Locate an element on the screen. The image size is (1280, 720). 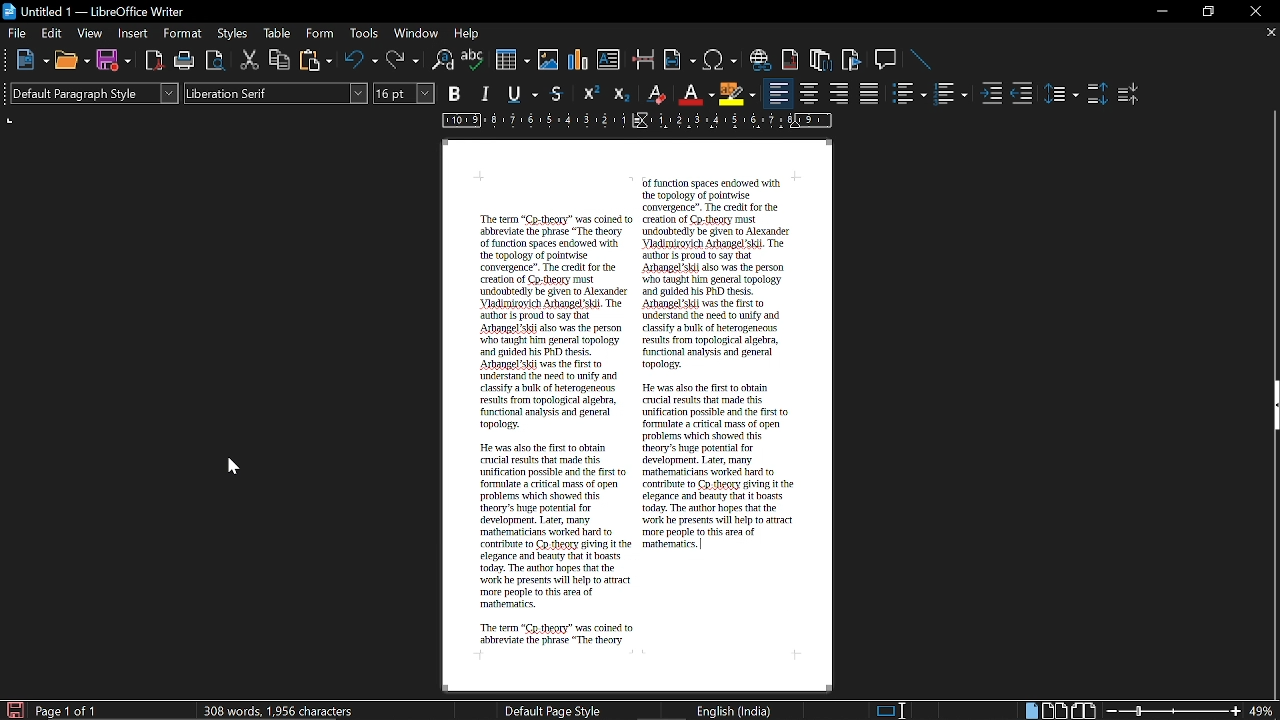
Save is located at coordinates (114, 63).